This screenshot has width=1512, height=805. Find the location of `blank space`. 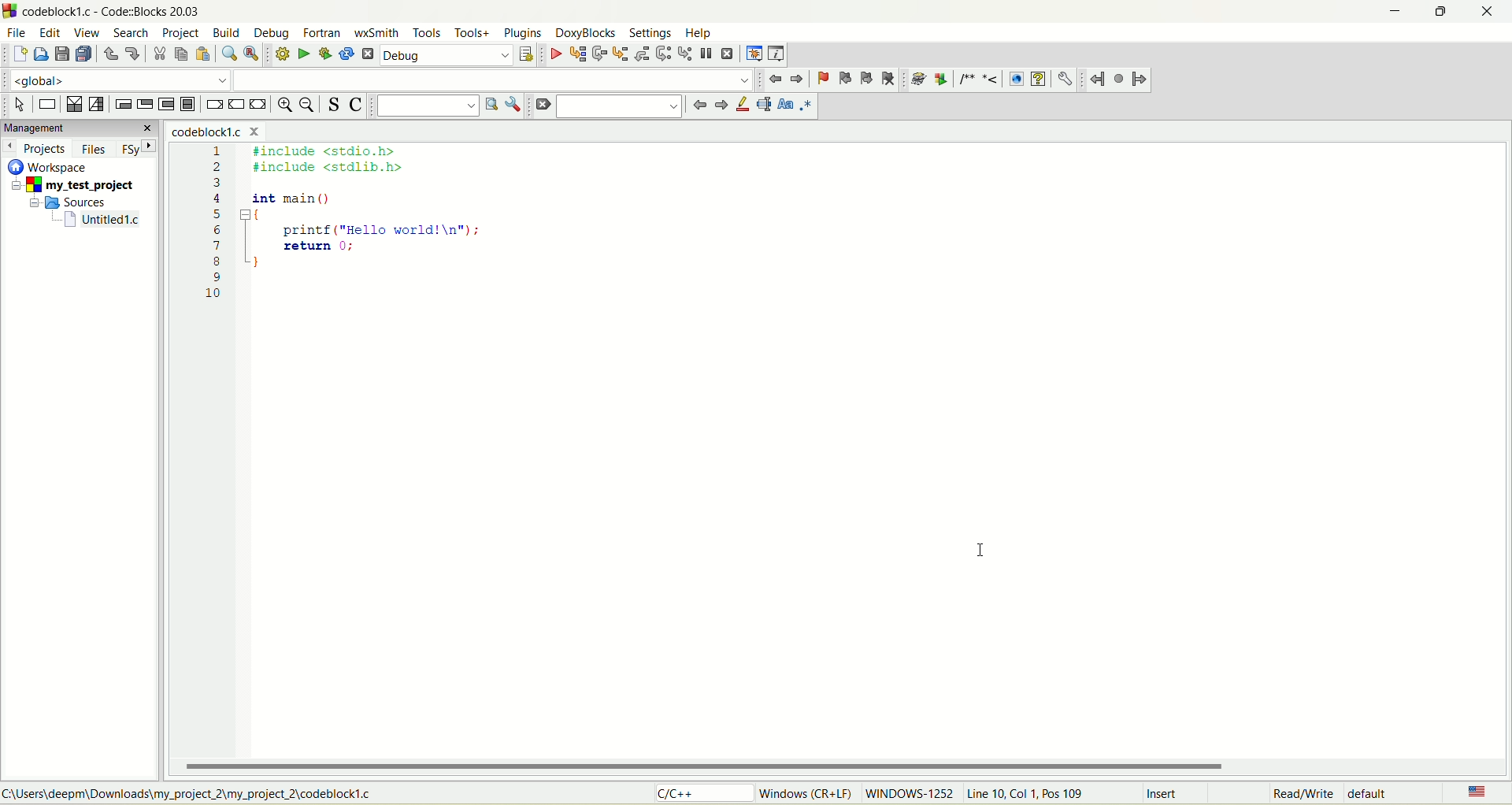

blank space is located at coordinates (494, 80).